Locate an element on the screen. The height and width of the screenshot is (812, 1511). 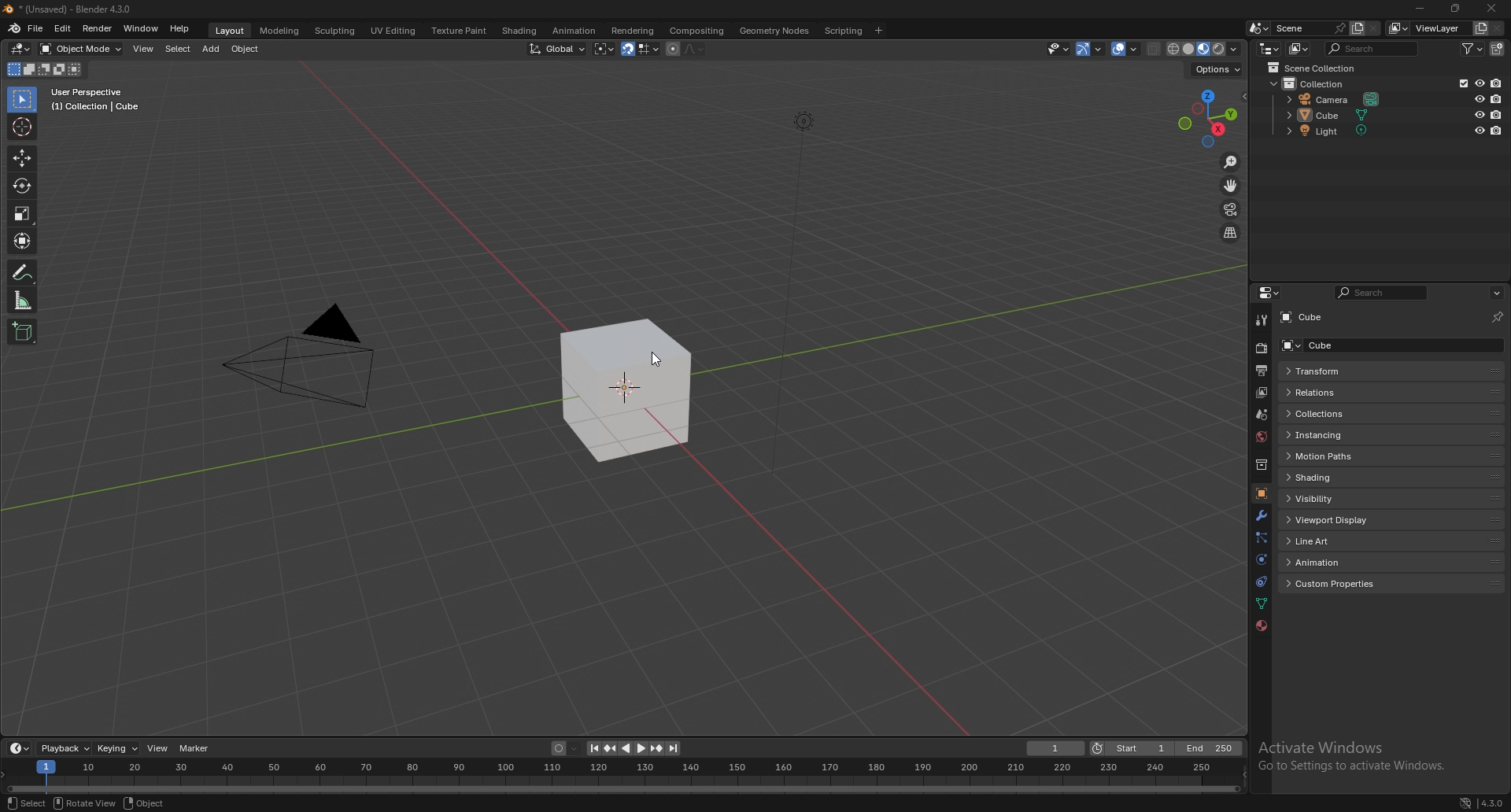
rotate view is located at coordinates (85, 802).